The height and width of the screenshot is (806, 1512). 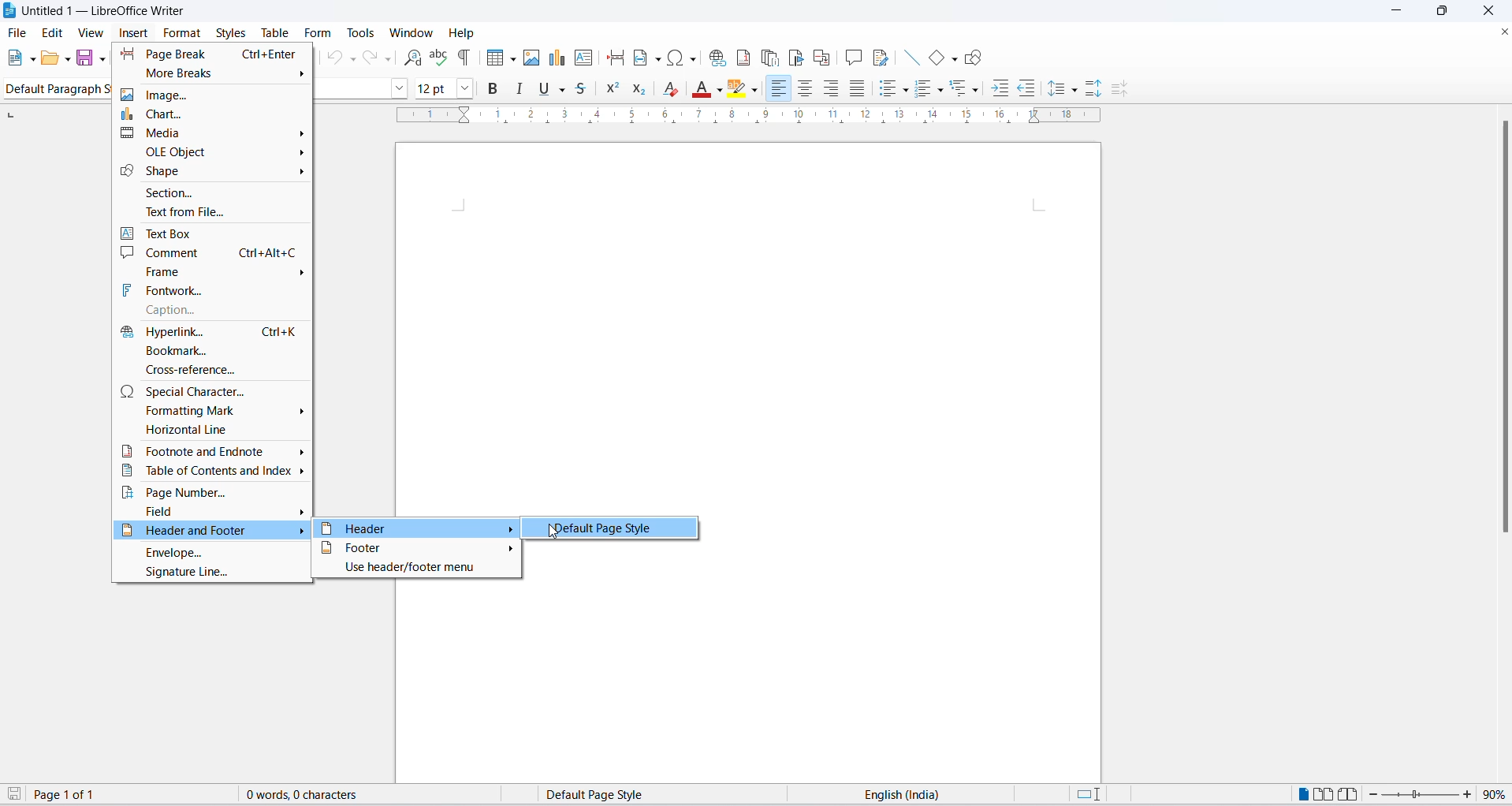 I want to click on basic shapes, so click(x=931, y=54).